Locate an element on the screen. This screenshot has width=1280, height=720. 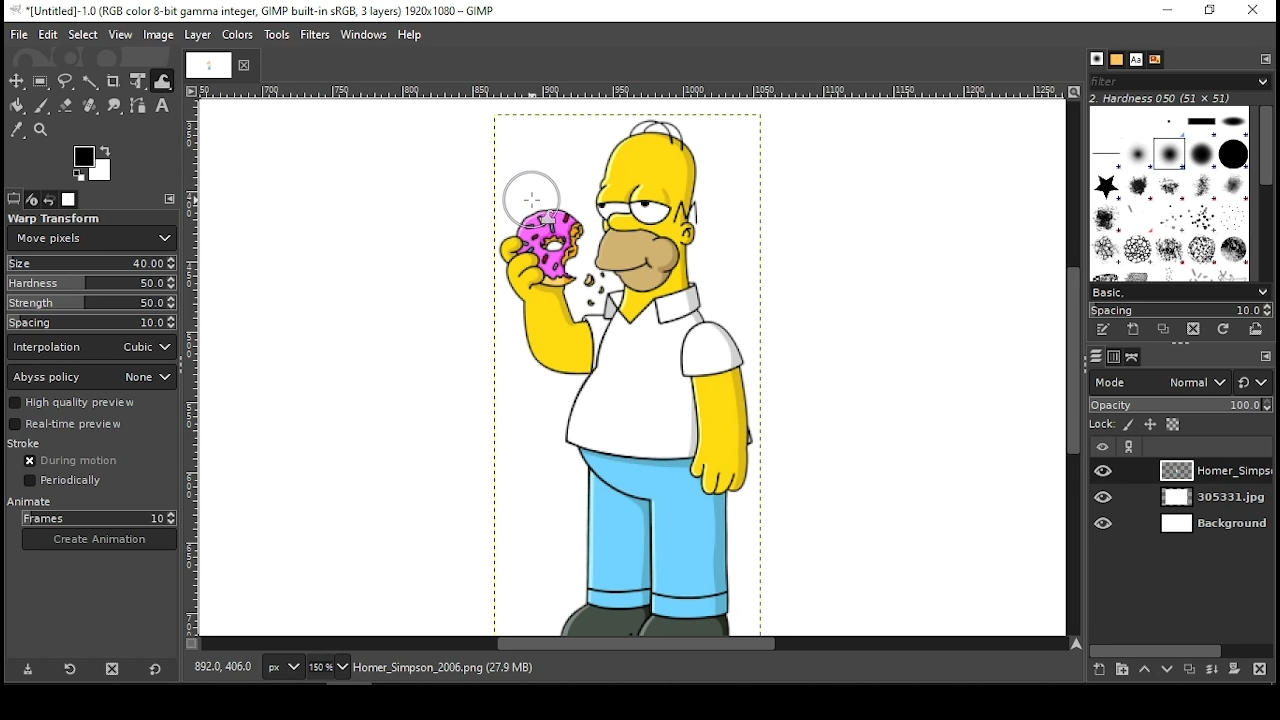
hardness is located at coordinates (91, 283).